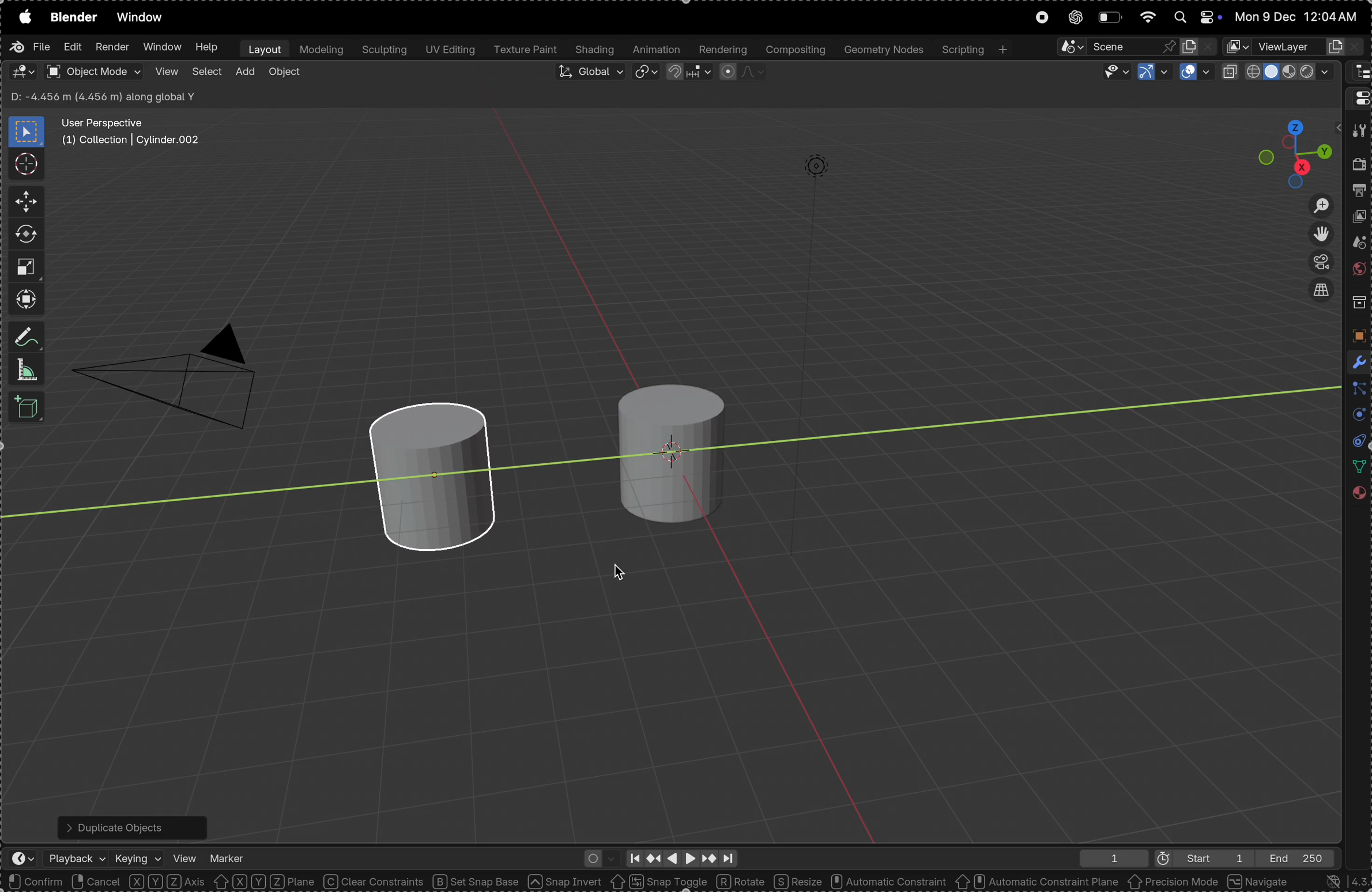 Image resolution: width=1372 pixels, height=892 pixels. What do you see at coordinates (228, 855) in the screenshot?
I see `marker` at bounding box center [228, 855].